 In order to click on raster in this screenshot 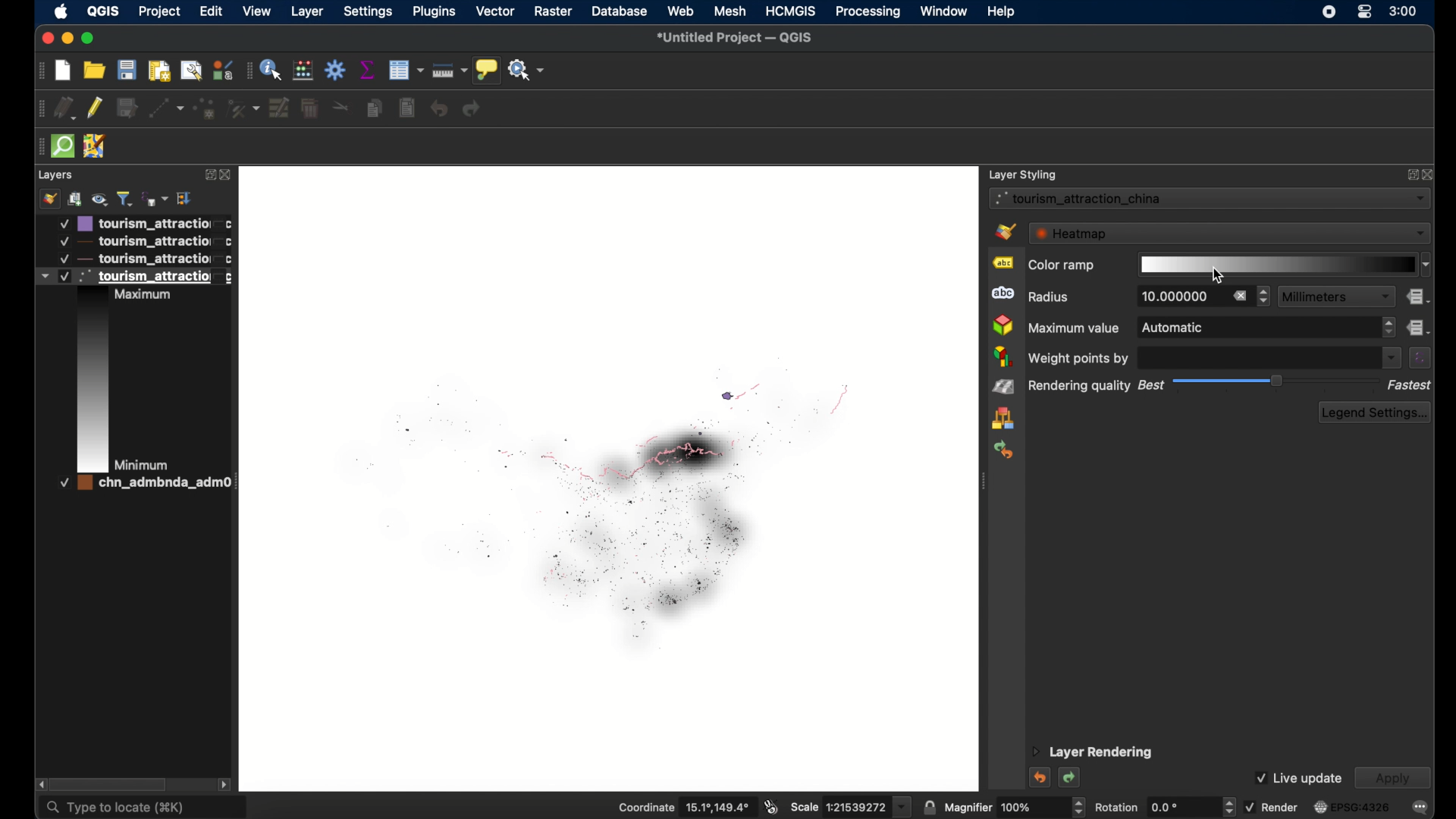, I will do `click(554, 11)`.